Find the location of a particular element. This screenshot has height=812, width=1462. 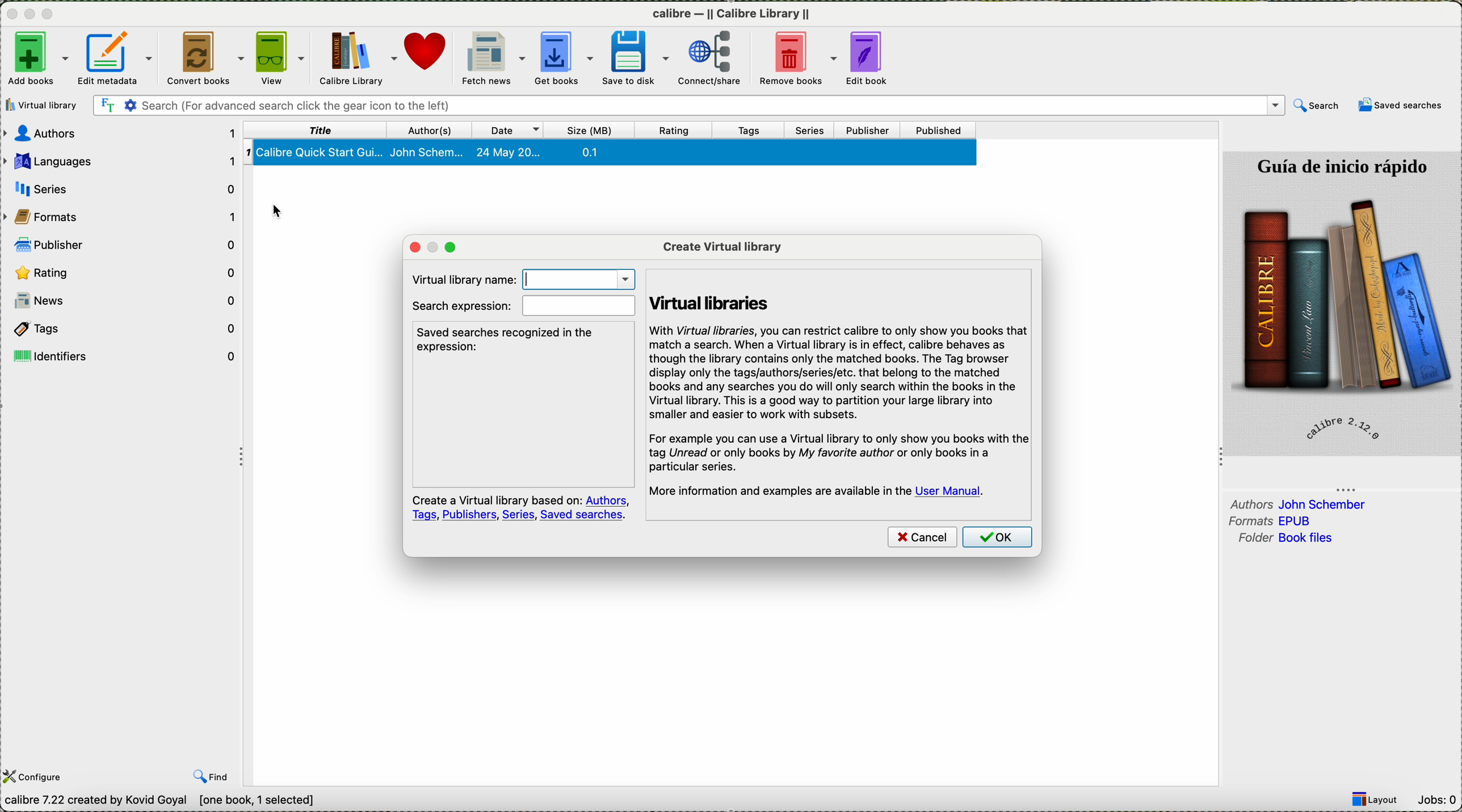

publisher is located at coordinates (126, 243).